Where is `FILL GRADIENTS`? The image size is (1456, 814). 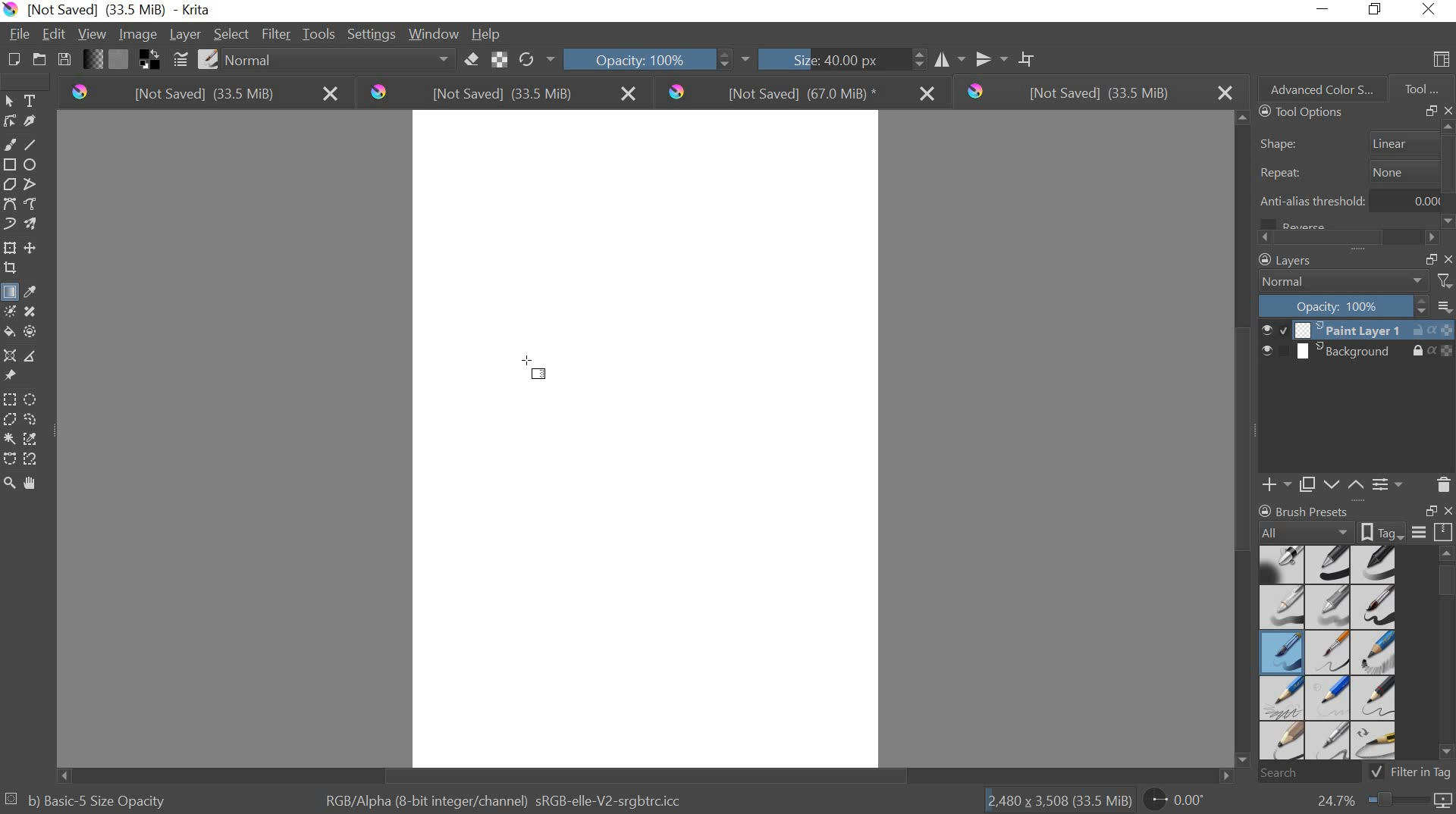
FILL GRADIENTS is located at coordinates (95, 61).